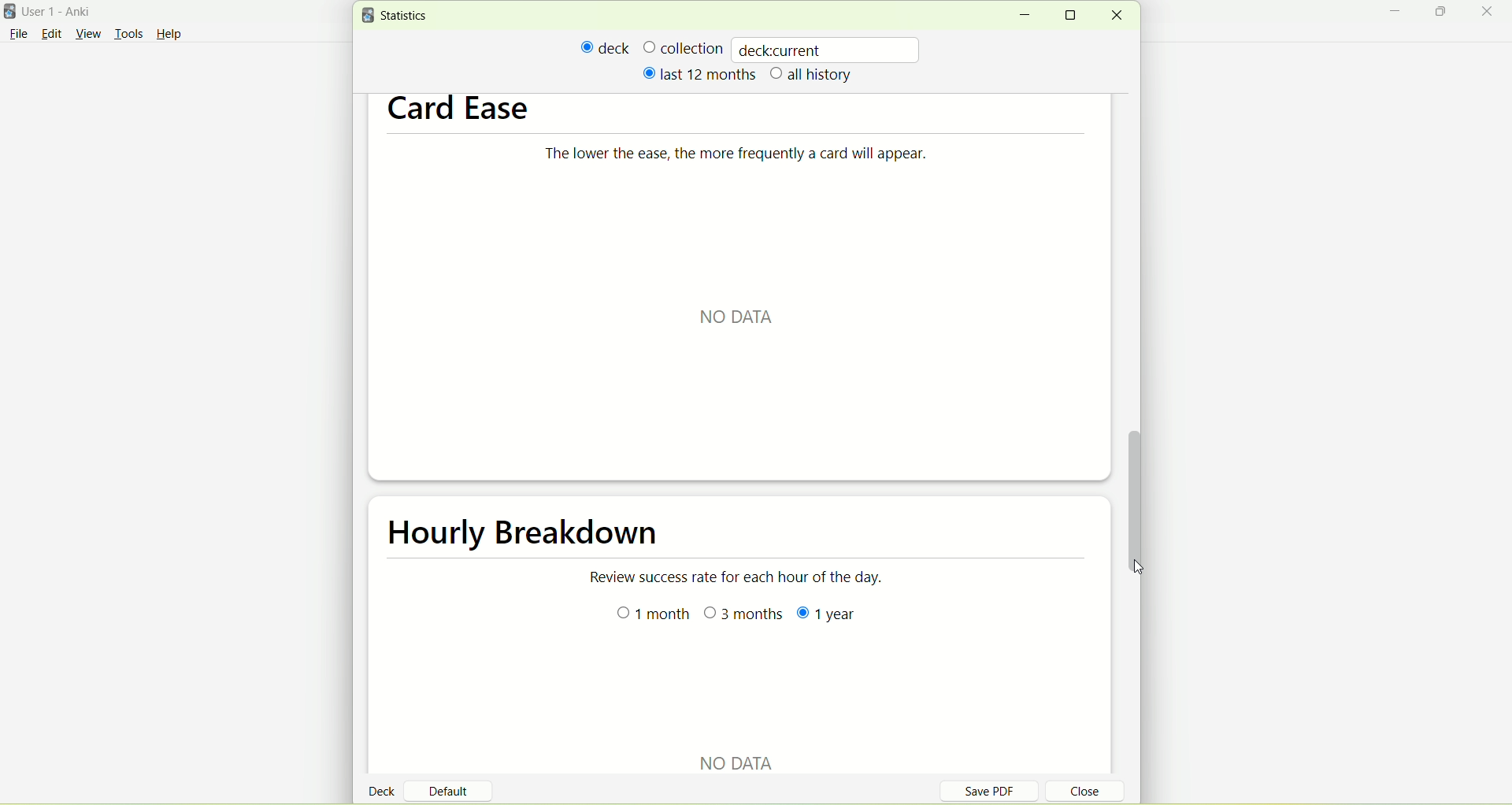 This screenshot has height=805, width=1512. What do you see at coordinates (741, 317) in the screenshot?
I see `NO DATA` at bounding box center [741, 317].